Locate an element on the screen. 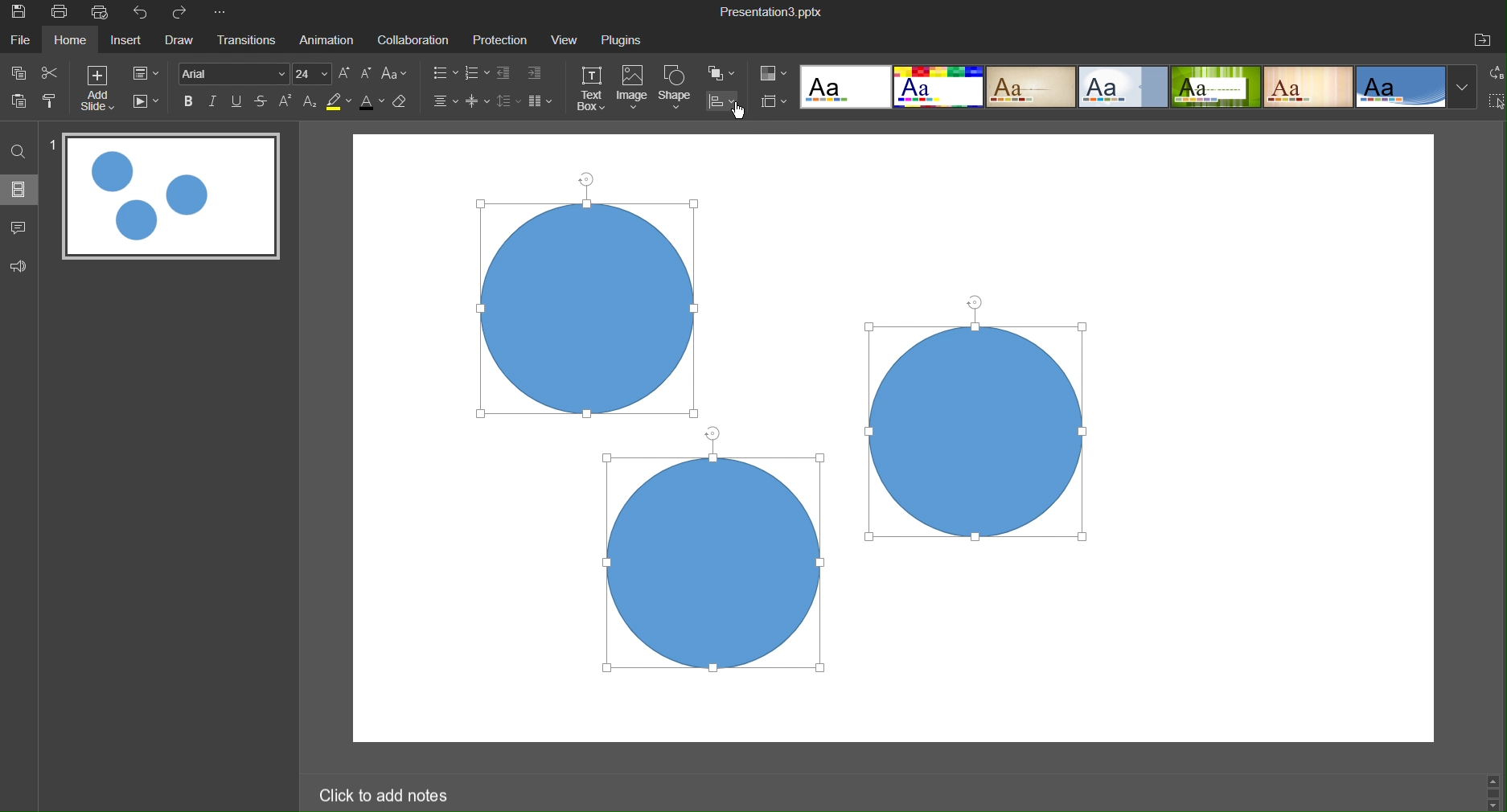 The image size is (1507, 812). View is located at coordinates (566, 40).